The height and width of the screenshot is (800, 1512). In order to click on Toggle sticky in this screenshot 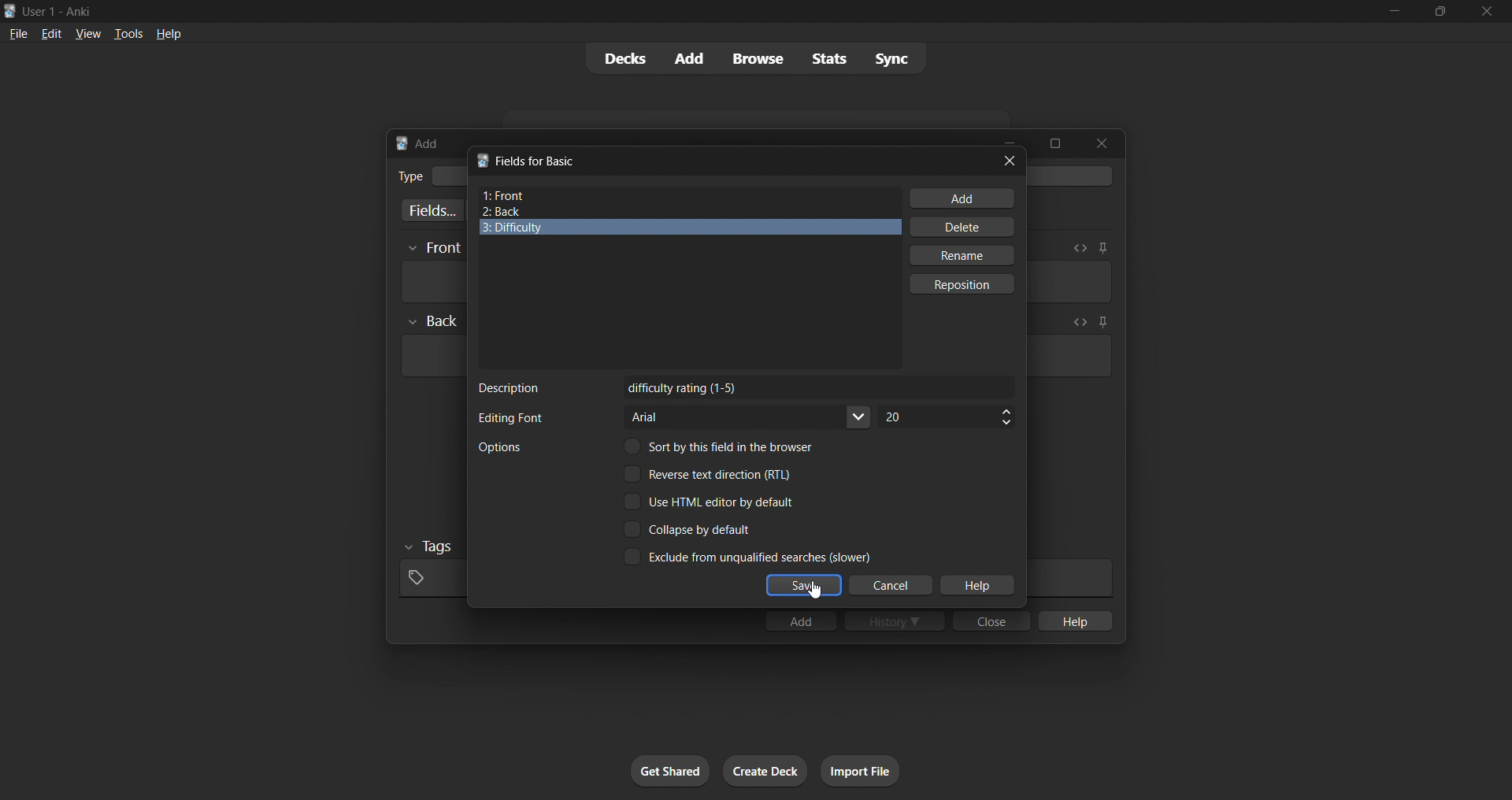, I will do `click(1100, 324)`.